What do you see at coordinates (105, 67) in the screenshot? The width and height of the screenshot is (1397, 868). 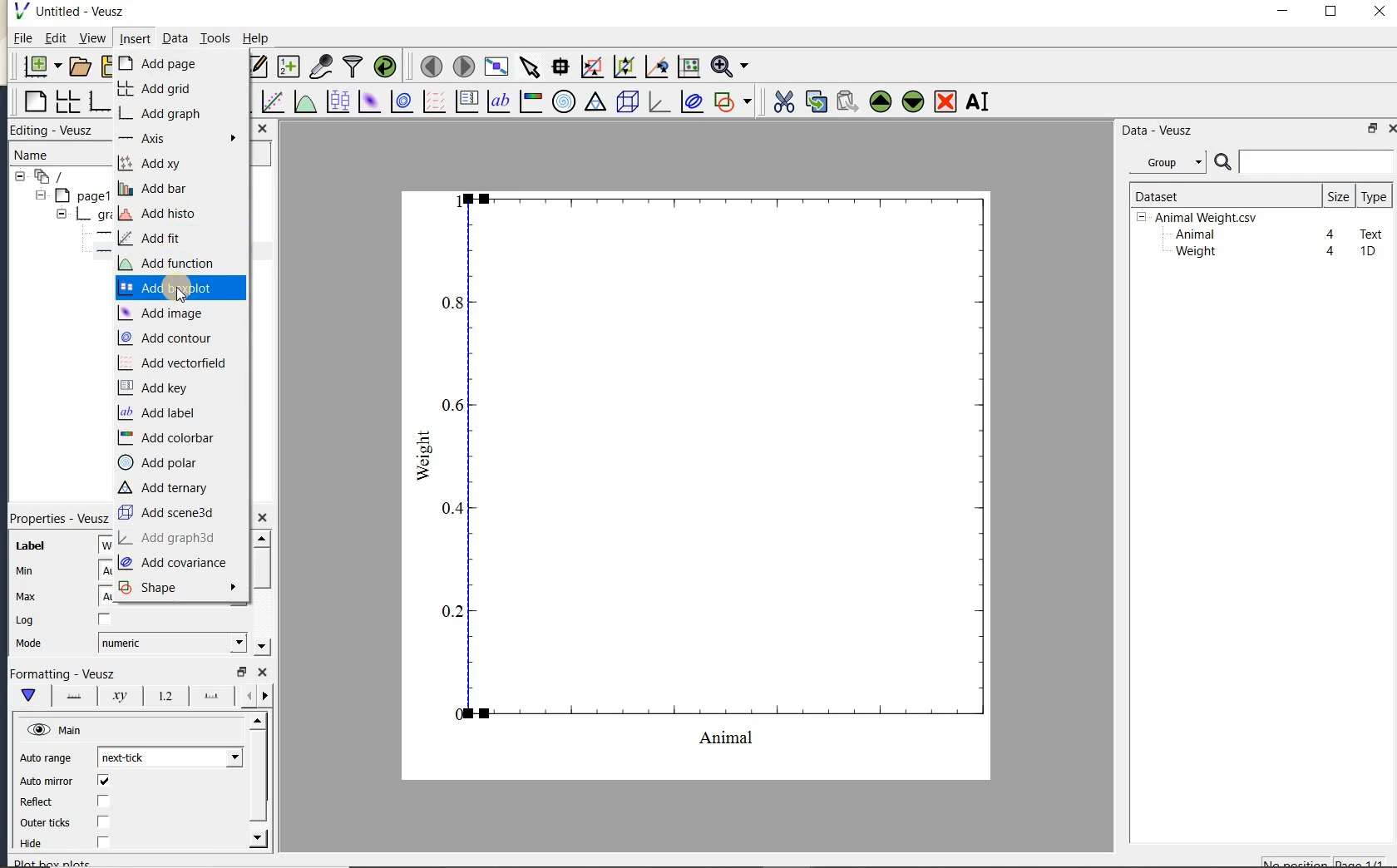 I see `save the document` at bounding box center [105, 67].